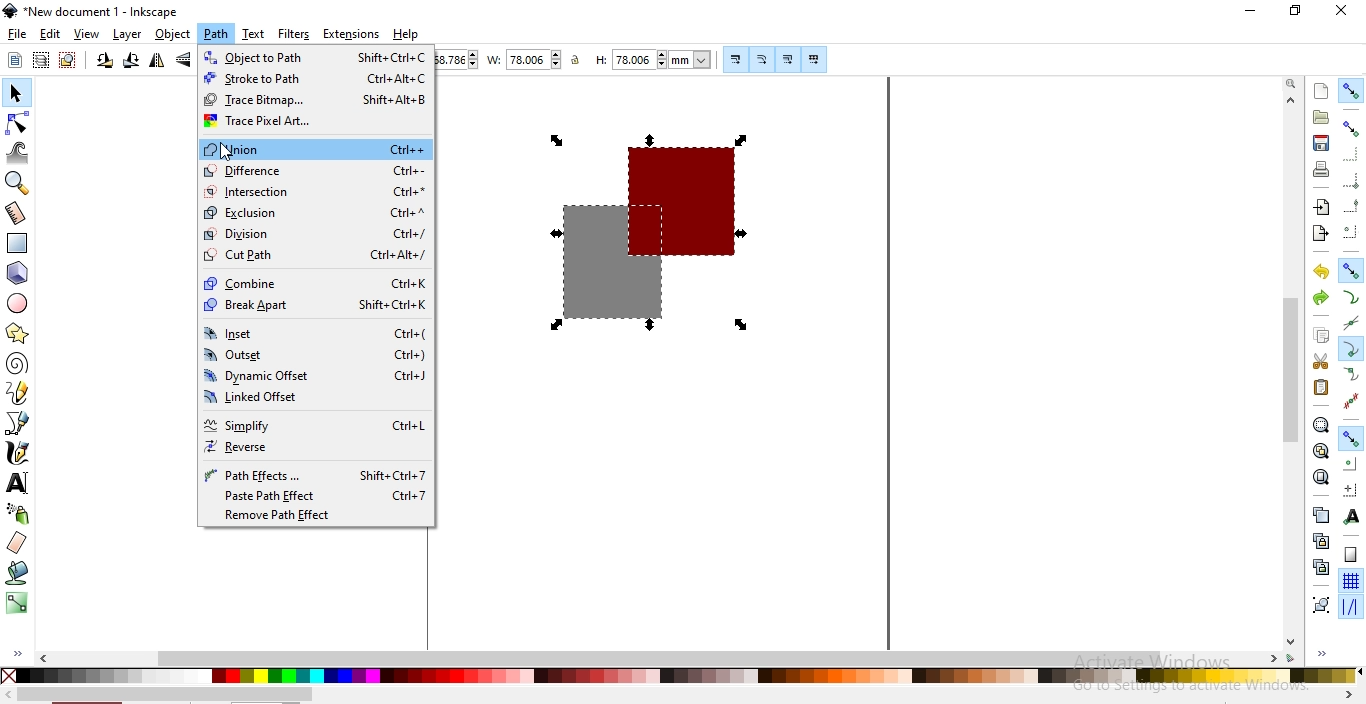  What do you see at coordinates (127, 35) in the screenshot?
I see `layer` at bounding box center [127, 35].